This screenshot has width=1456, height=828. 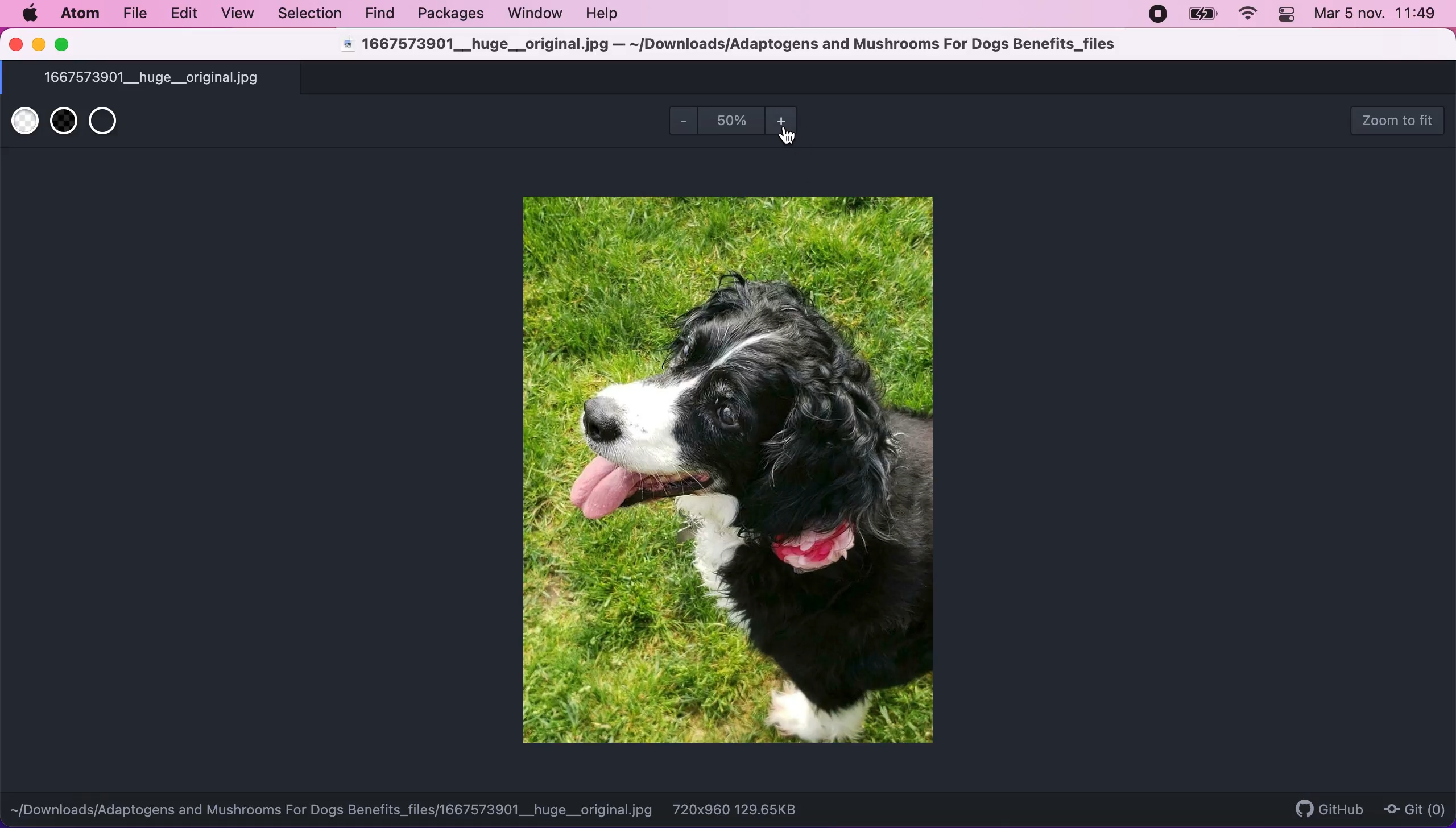 What do you see at coordinates (1160, 14) in the screenshot?
I see `recording stopped` at bounding box center [1160, 14].